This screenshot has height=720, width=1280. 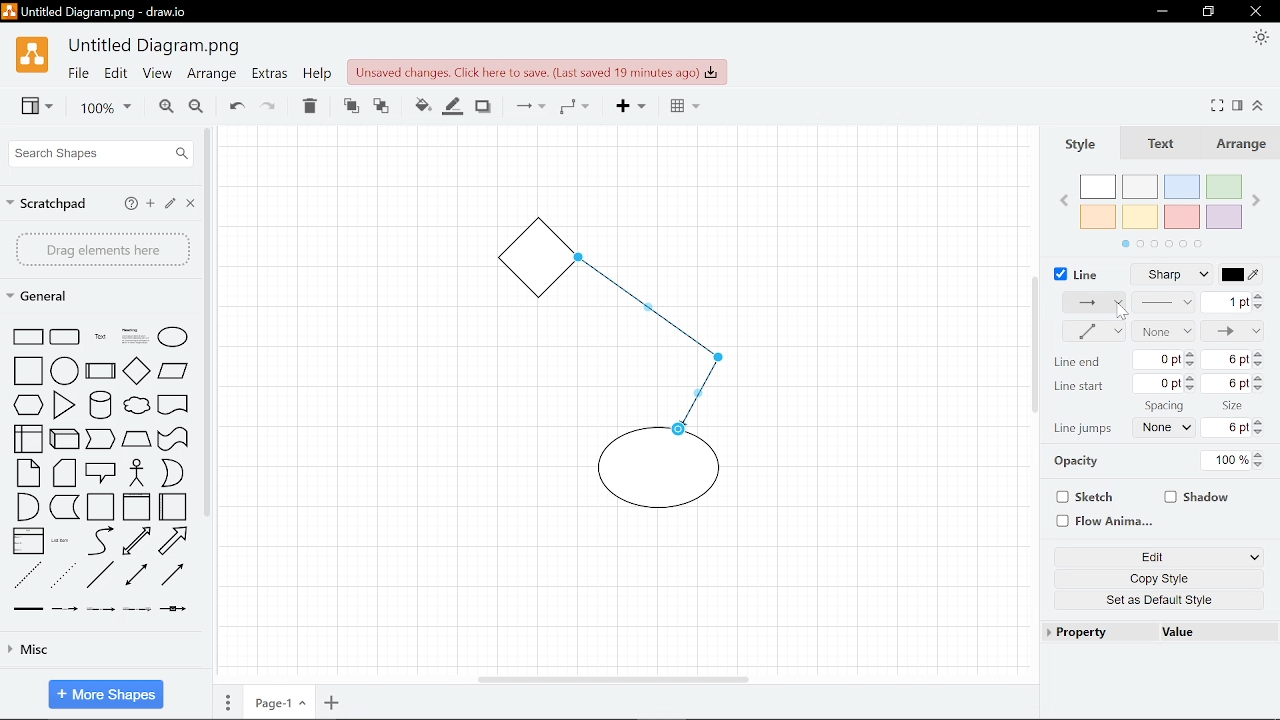 I want to click on help, so click(x=316, y=76).